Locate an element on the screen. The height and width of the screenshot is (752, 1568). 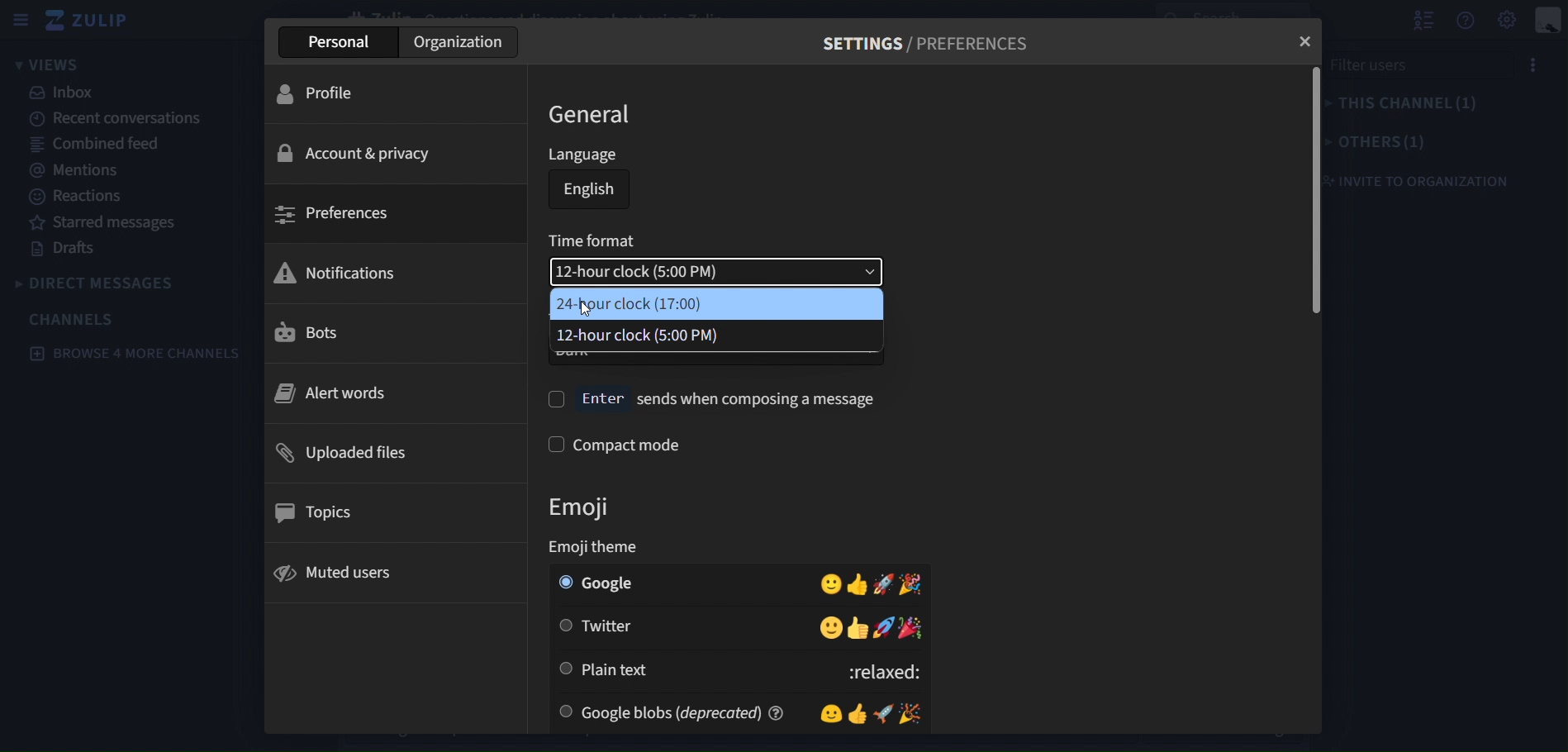
profile is located at coordinates (395, 93).